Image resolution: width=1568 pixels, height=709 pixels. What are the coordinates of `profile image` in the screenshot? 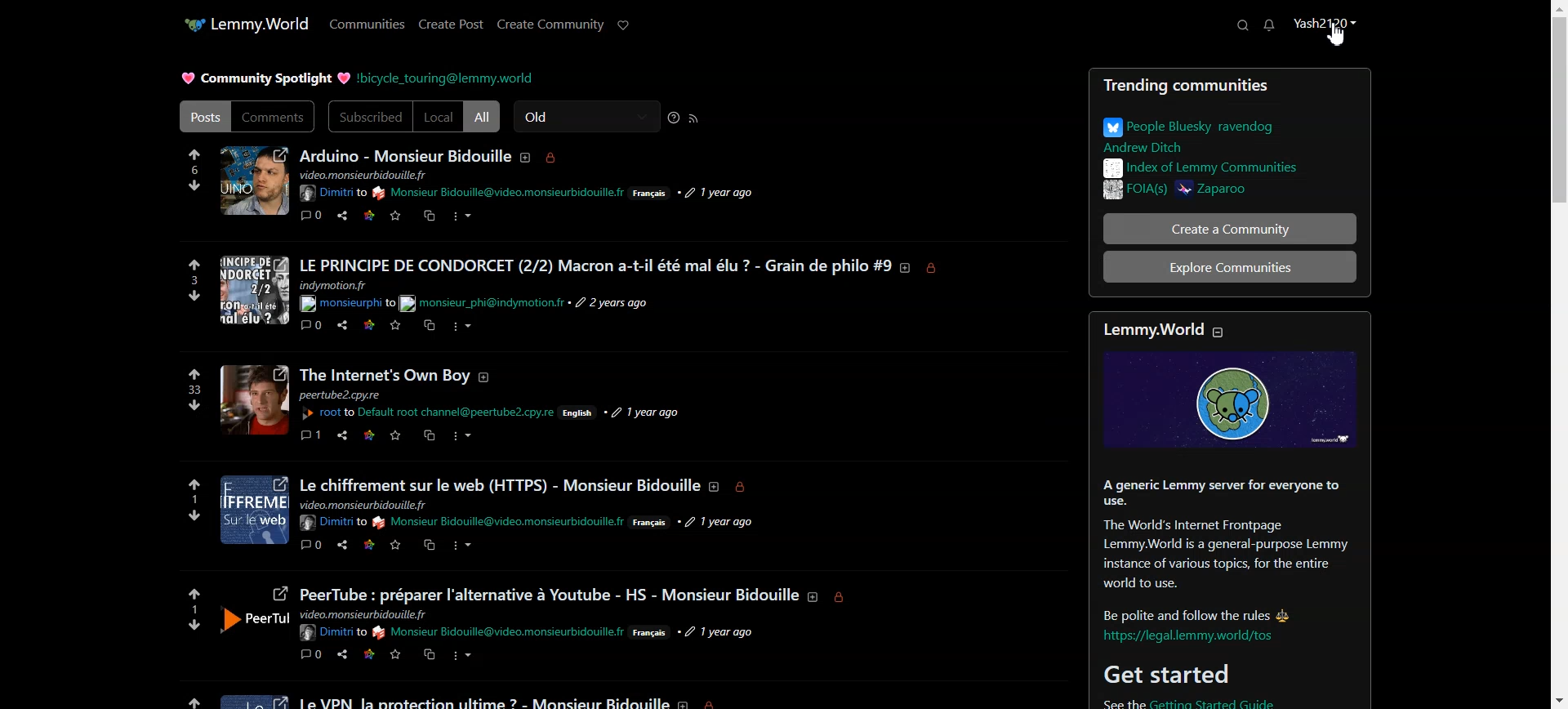 It's located at (254, 616).